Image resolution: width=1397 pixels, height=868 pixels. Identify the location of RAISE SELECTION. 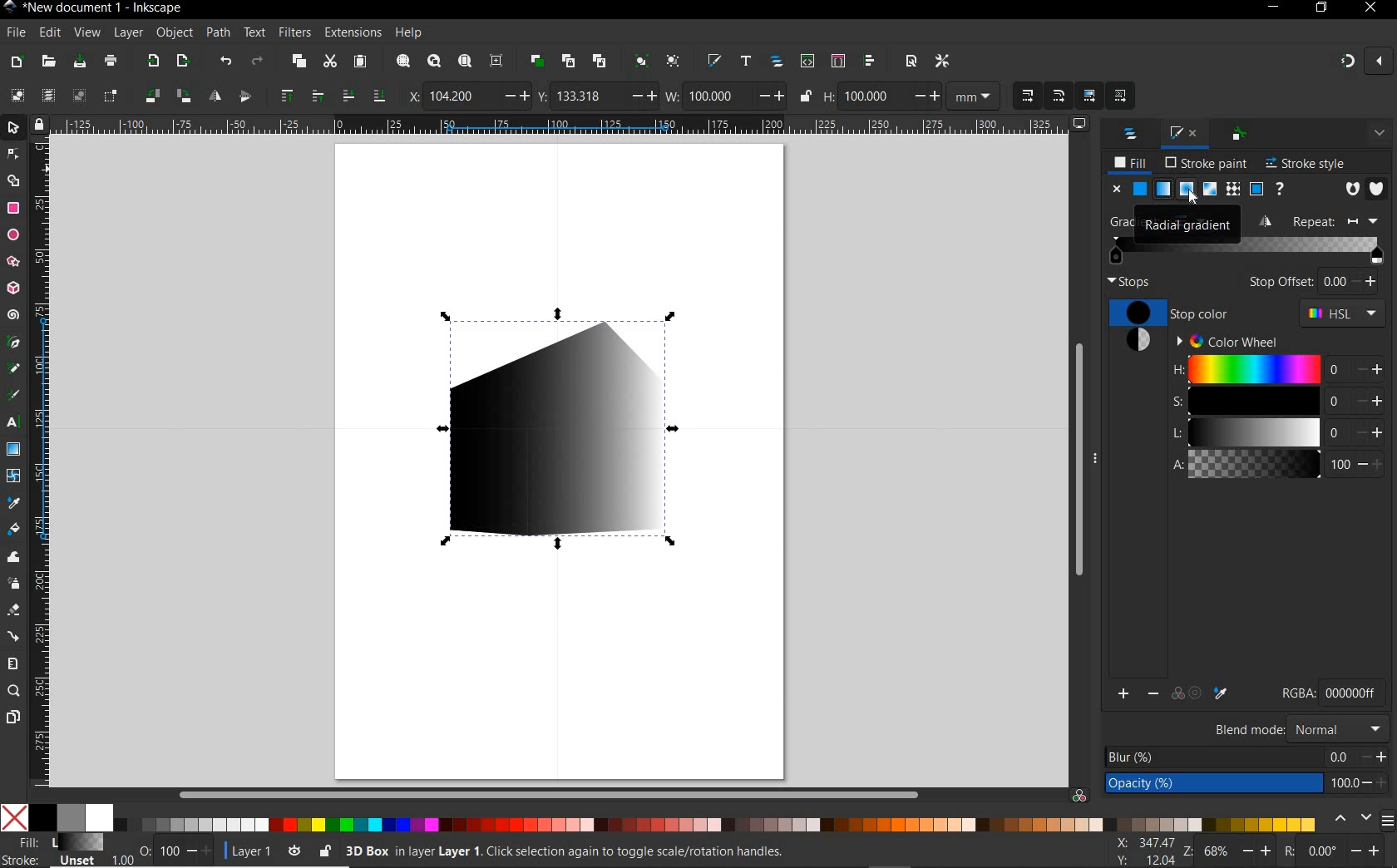
(285, 97).